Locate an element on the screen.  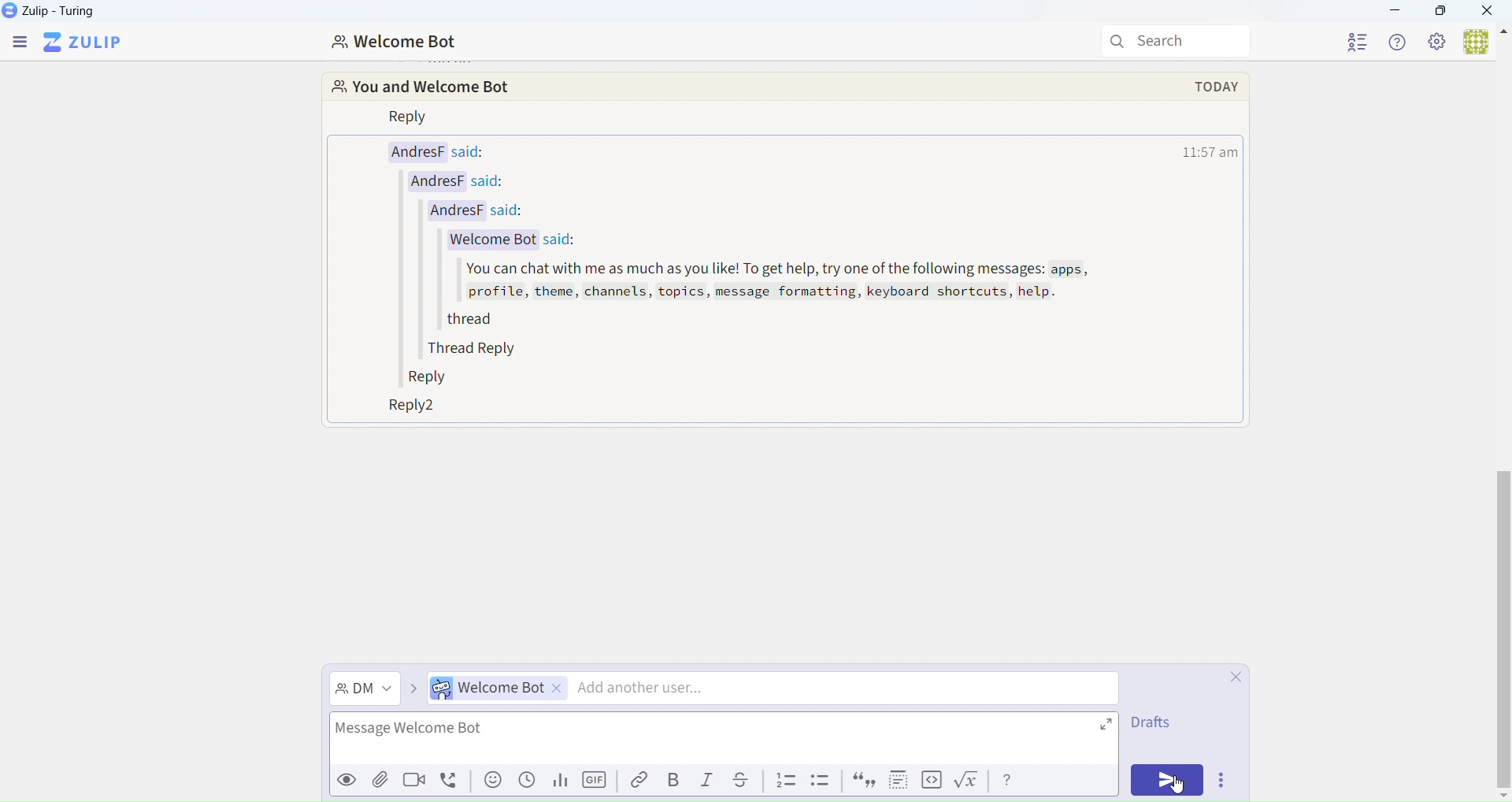
Italic is located at coordinates (709, 780).